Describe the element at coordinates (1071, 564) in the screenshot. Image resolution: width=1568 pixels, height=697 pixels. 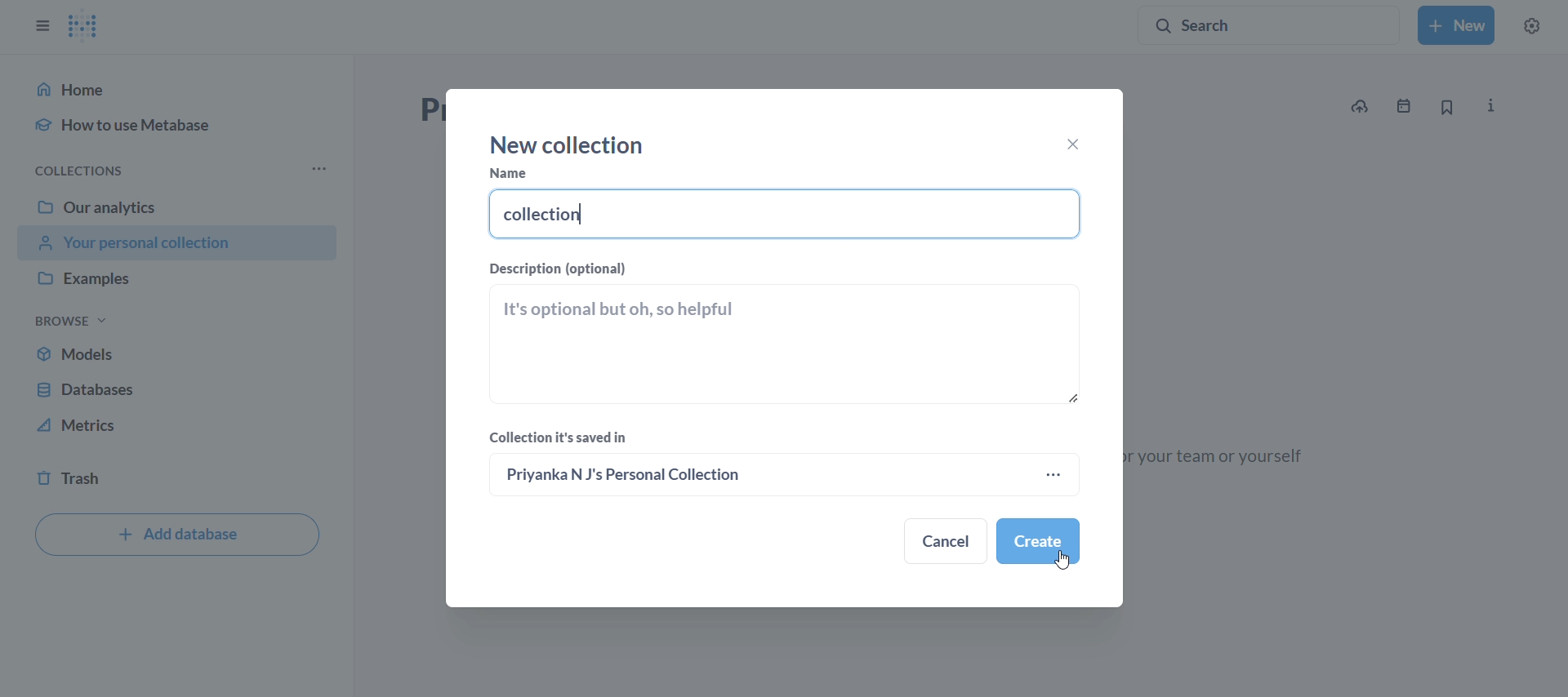
I see `CURSOR` at that location.